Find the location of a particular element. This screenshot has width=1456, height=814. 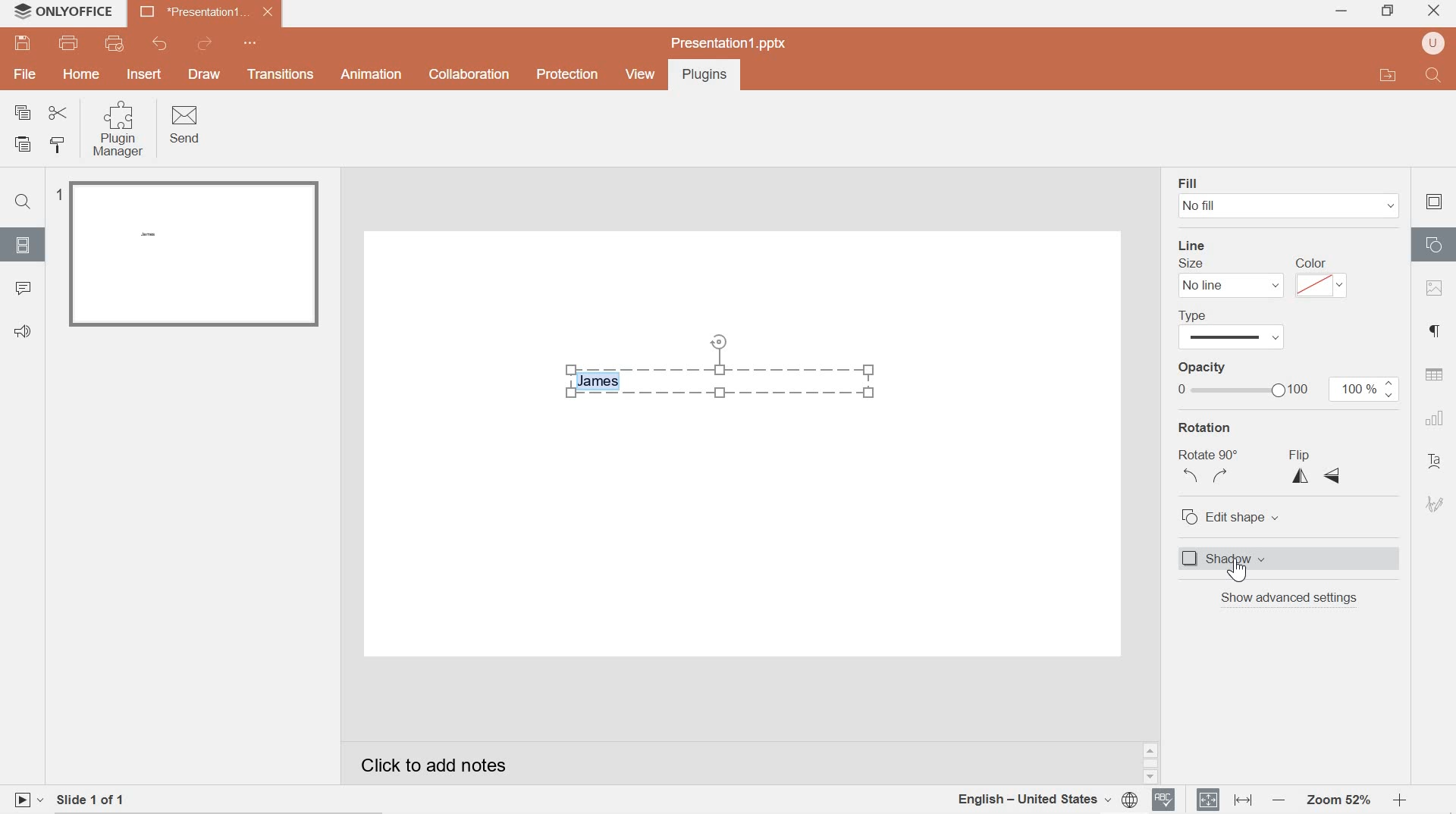

highlighted text is located at coordinates (606, 380).